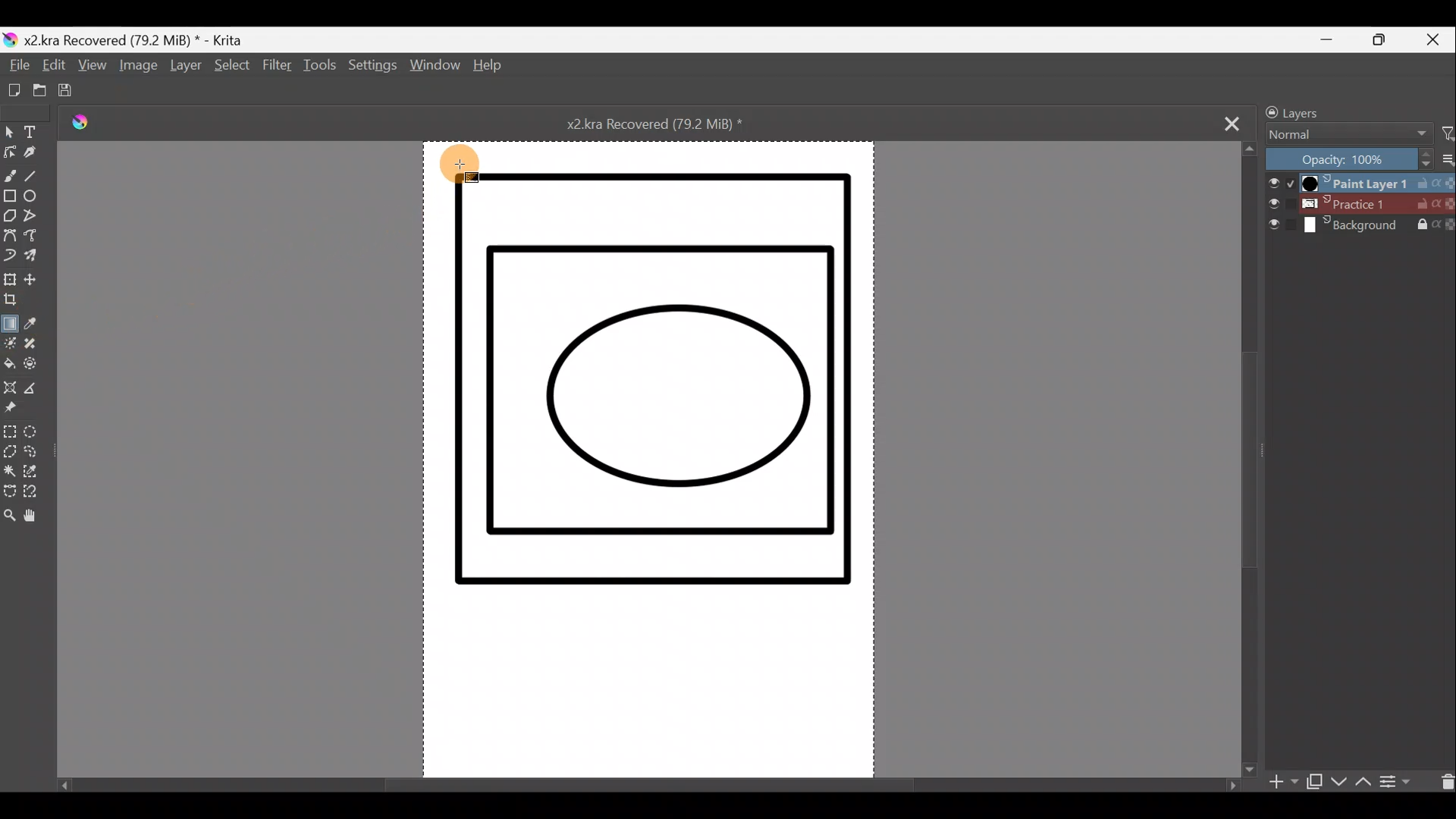 This screenshot has height=819, width=1456. Describe the element at coordinates (1447, 134) in the screenshot. I see `Filter` at that location.